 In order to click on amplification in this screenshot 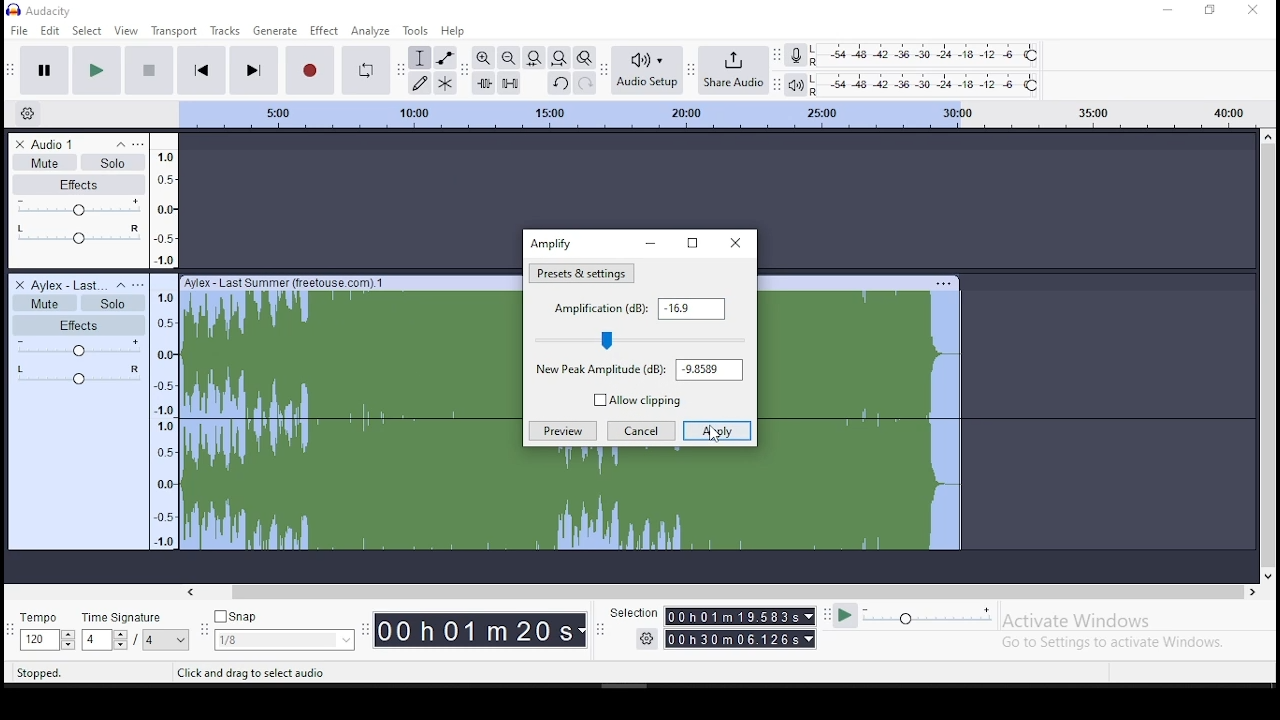, I will do `click(640, 323)`.